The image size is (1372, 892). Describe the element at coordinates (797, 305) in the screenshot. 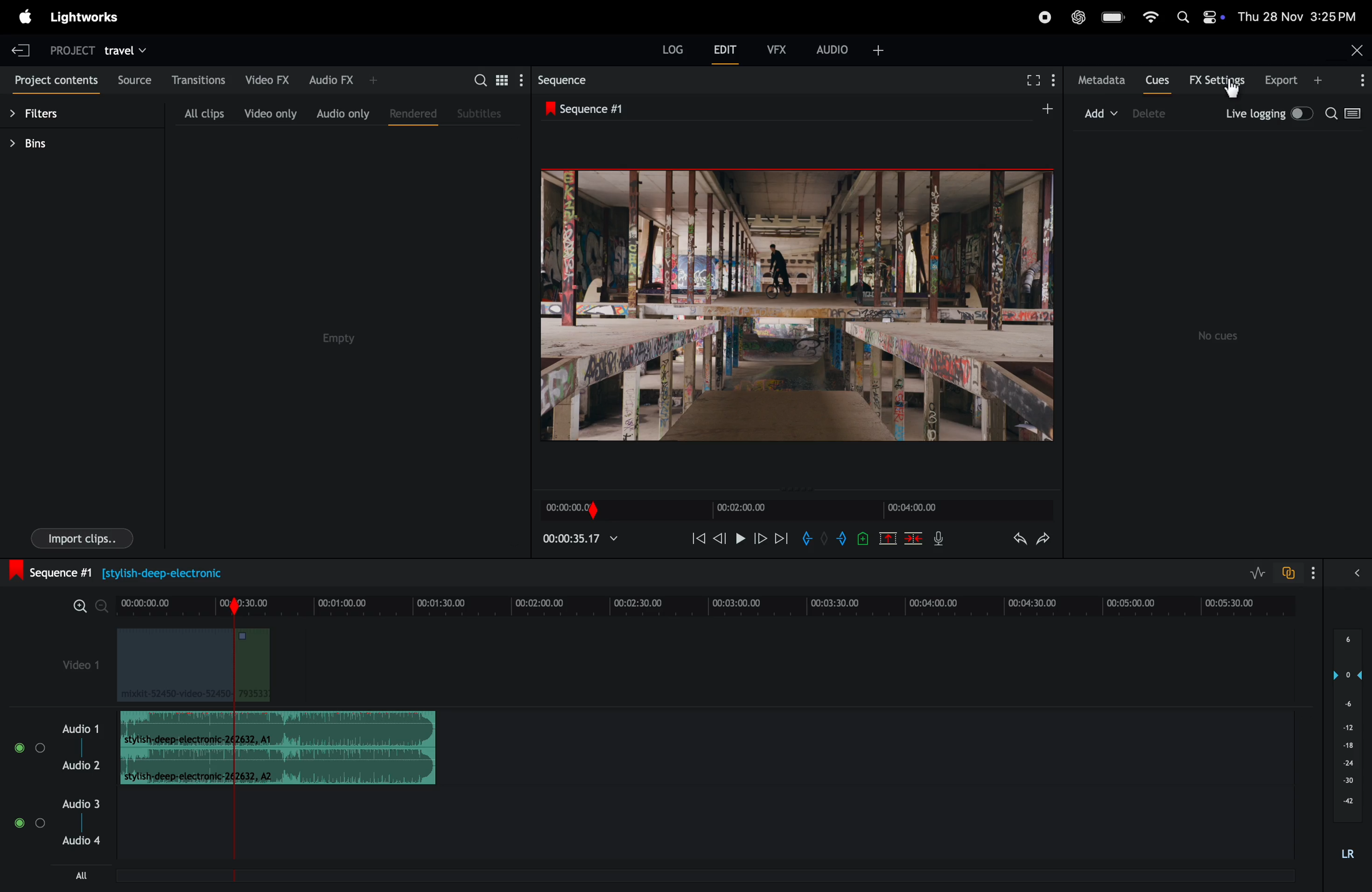

I see `output frames` at that location.